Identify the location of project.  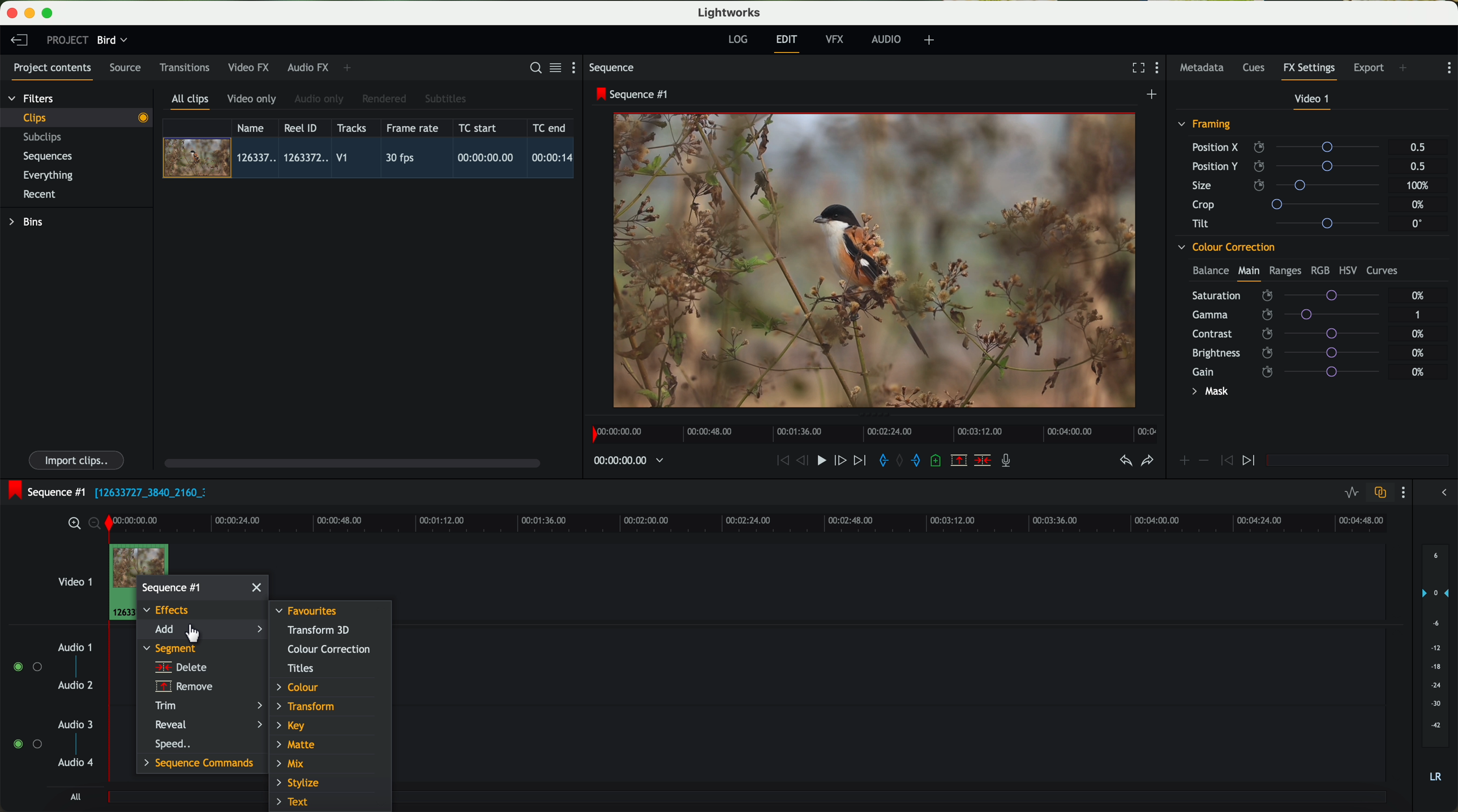
(67, 40).